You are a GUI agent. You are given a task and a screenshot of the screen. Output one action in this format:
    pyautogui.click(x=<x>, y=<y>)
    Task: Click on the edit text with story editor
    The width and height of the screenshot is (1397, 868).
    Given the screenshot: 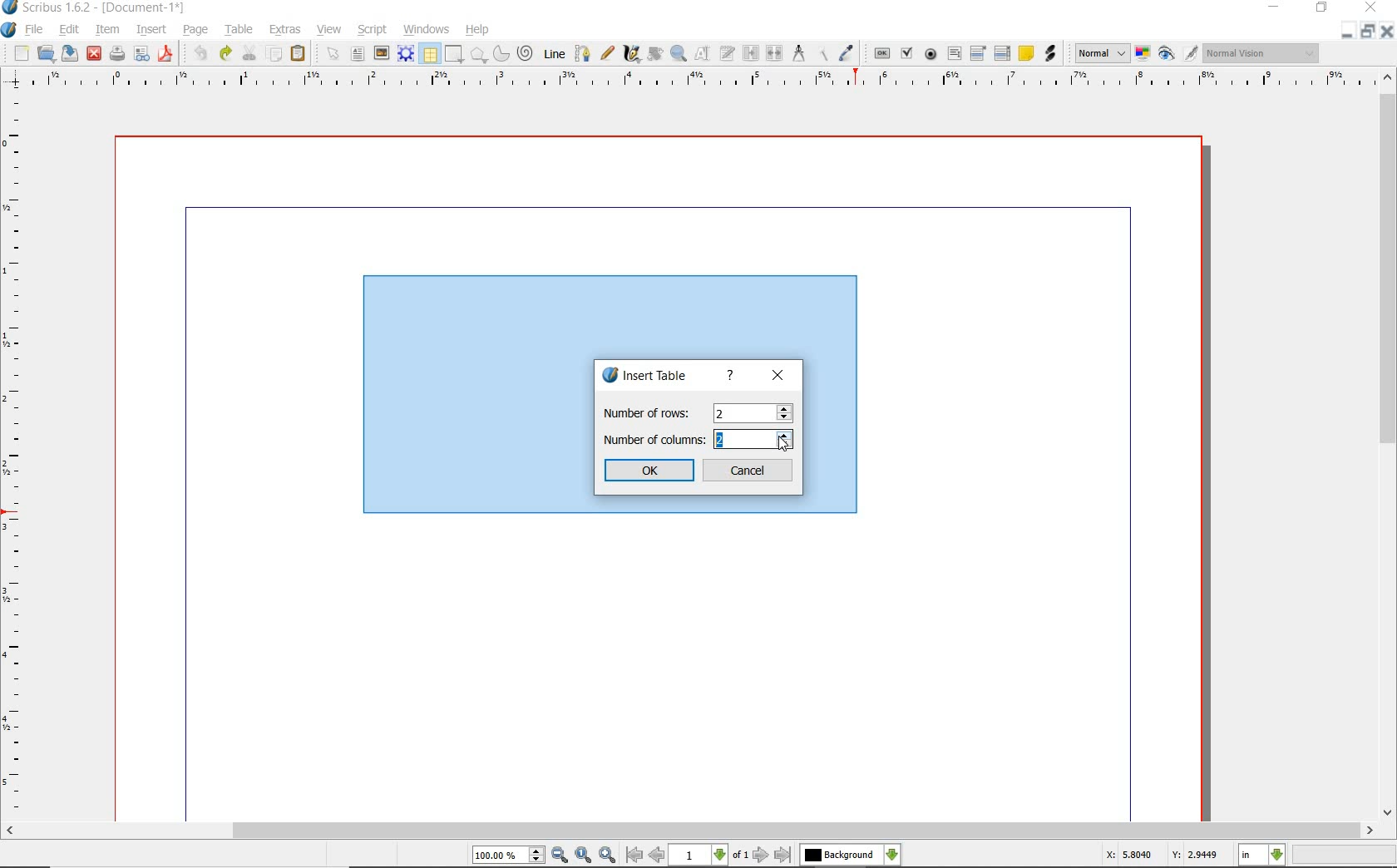 What is the action you would take?
    pyautogui.click(x=728, y=52)
    